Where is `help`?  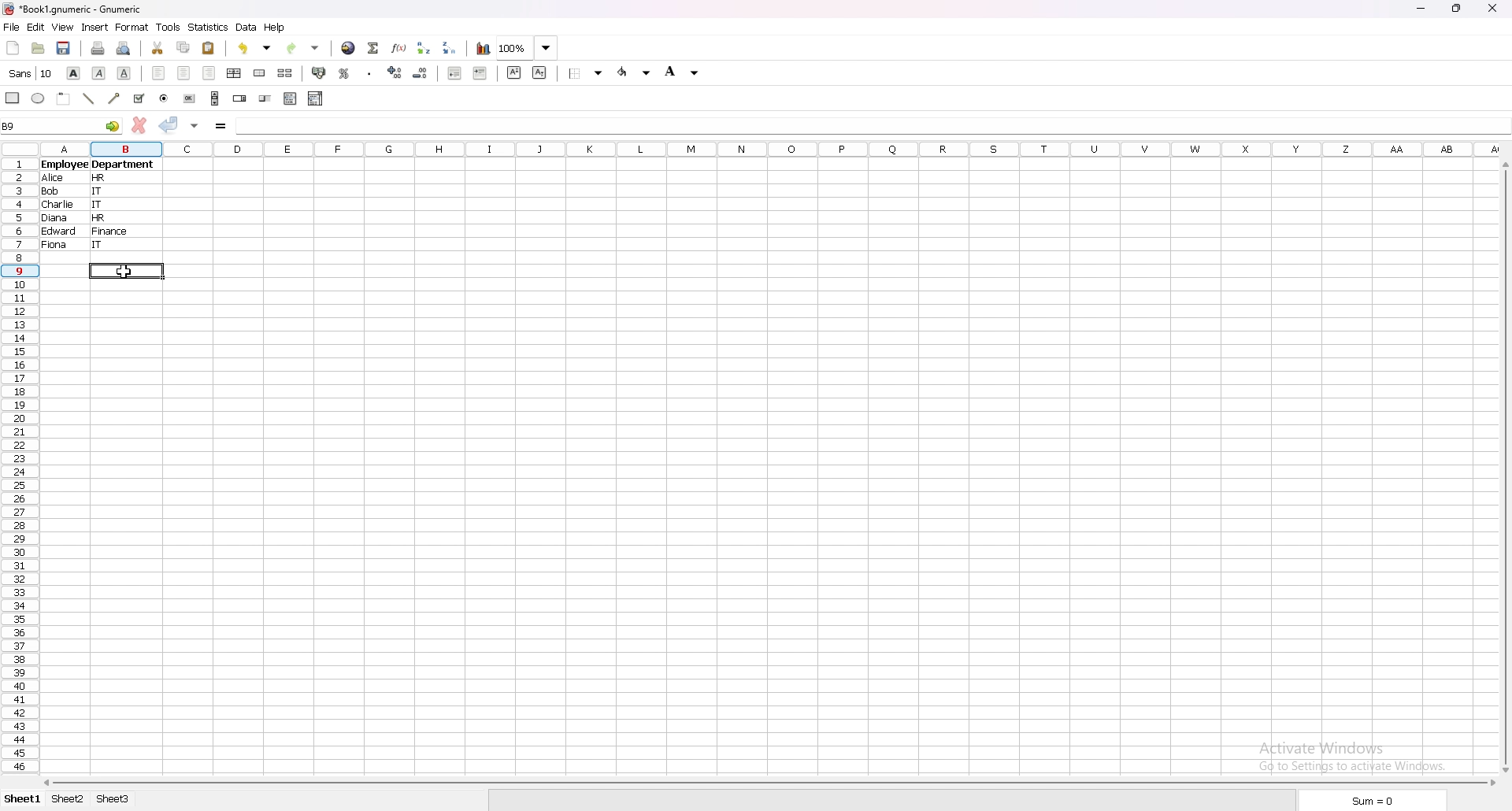 help is located at coordinates (276, 27).